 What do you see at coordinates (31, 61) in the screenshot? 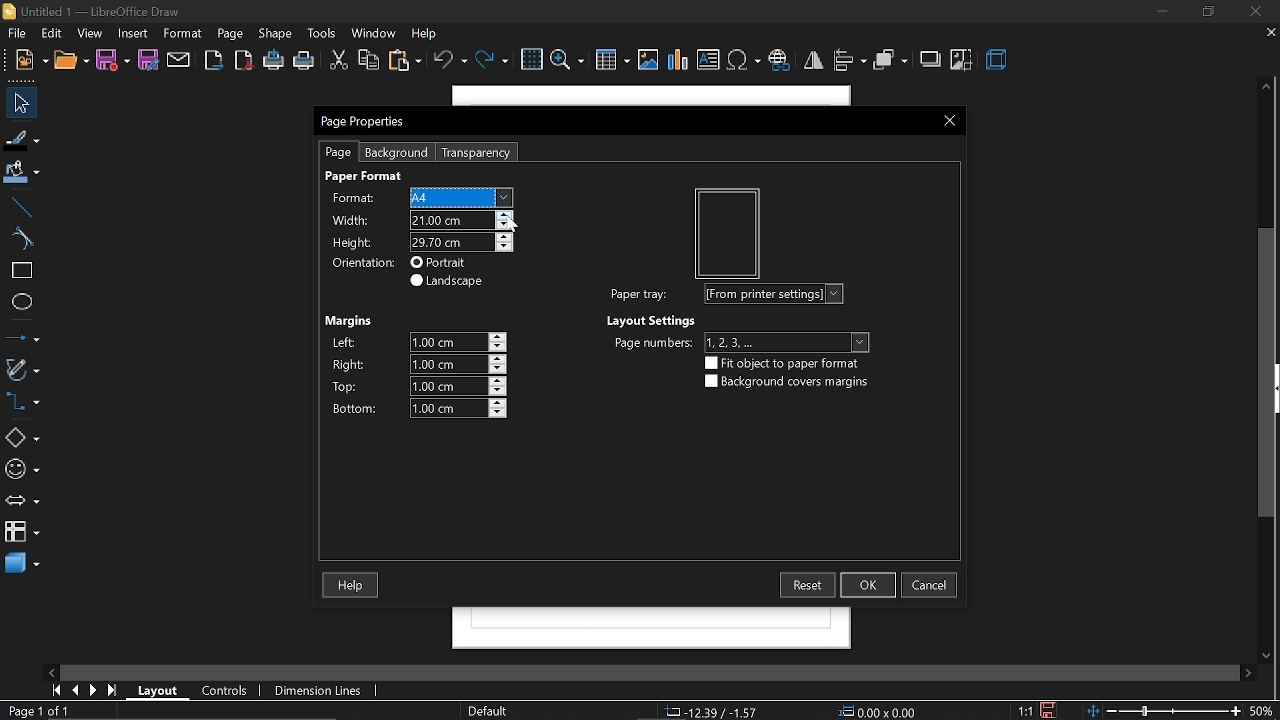
I see `file` at bounding box center [31, 61].